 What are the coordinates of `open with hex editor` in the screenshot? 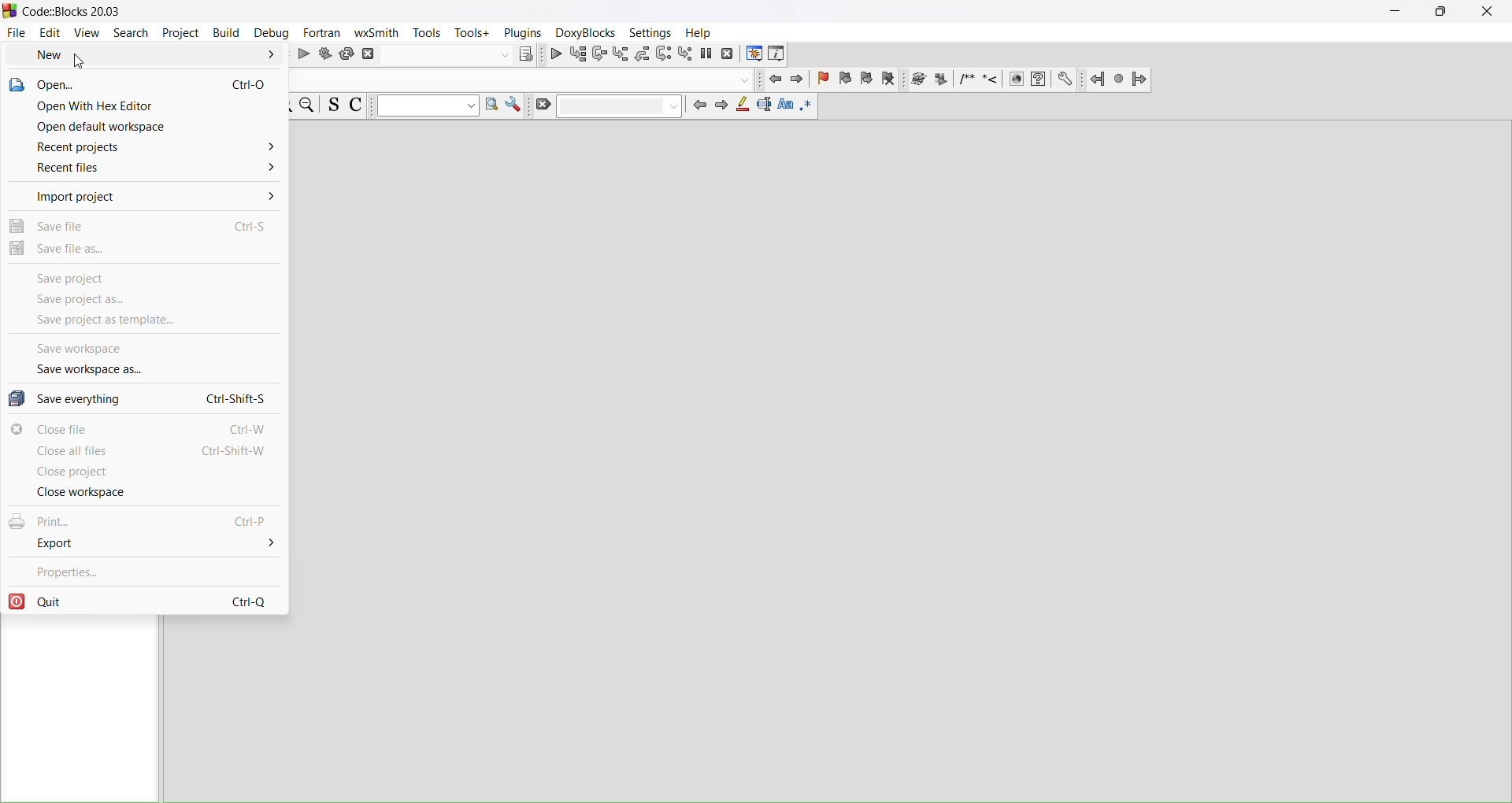 It's located at (143, 106).